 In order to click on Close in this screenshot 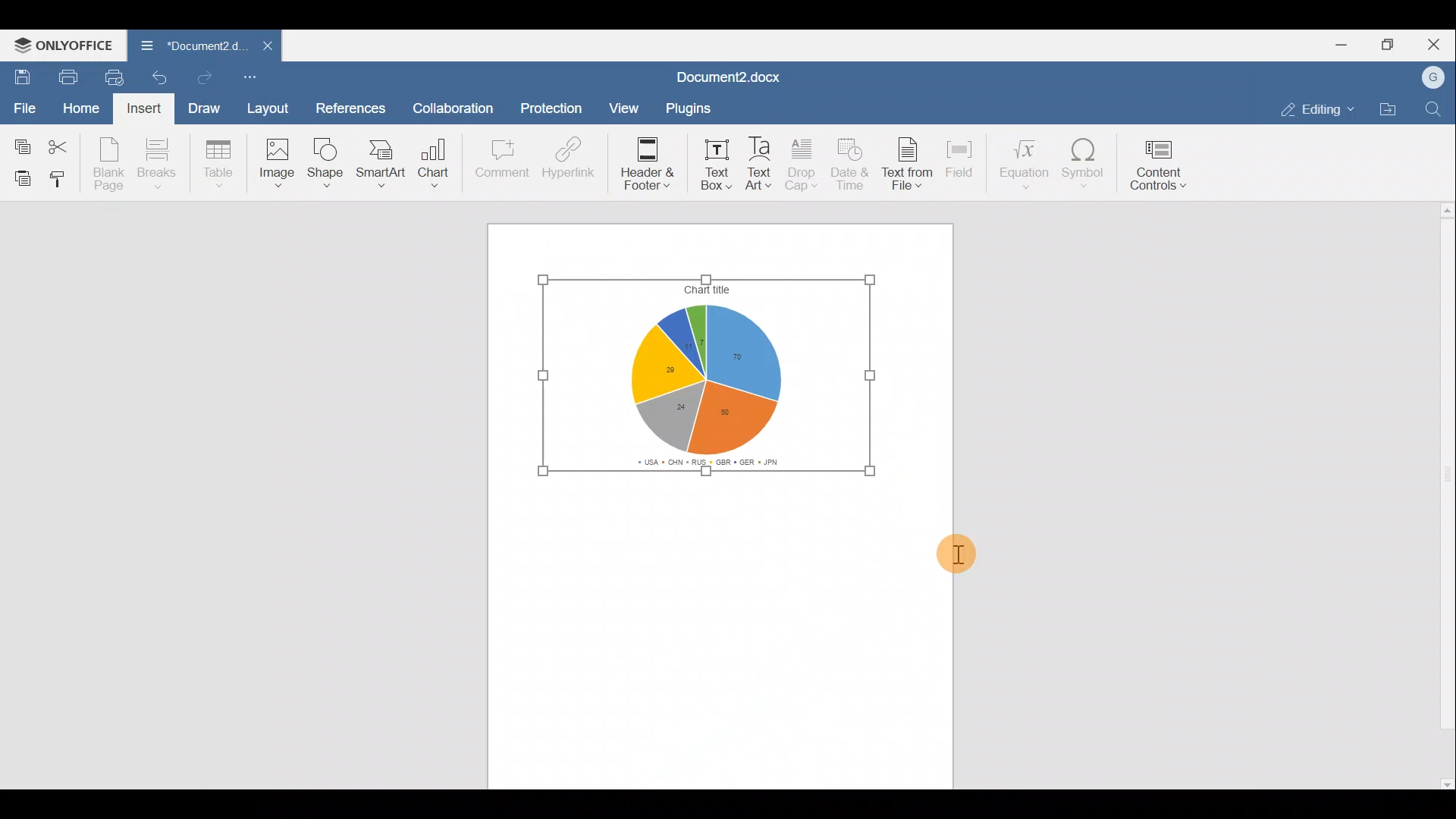, I will do `click(1438, 43)`.